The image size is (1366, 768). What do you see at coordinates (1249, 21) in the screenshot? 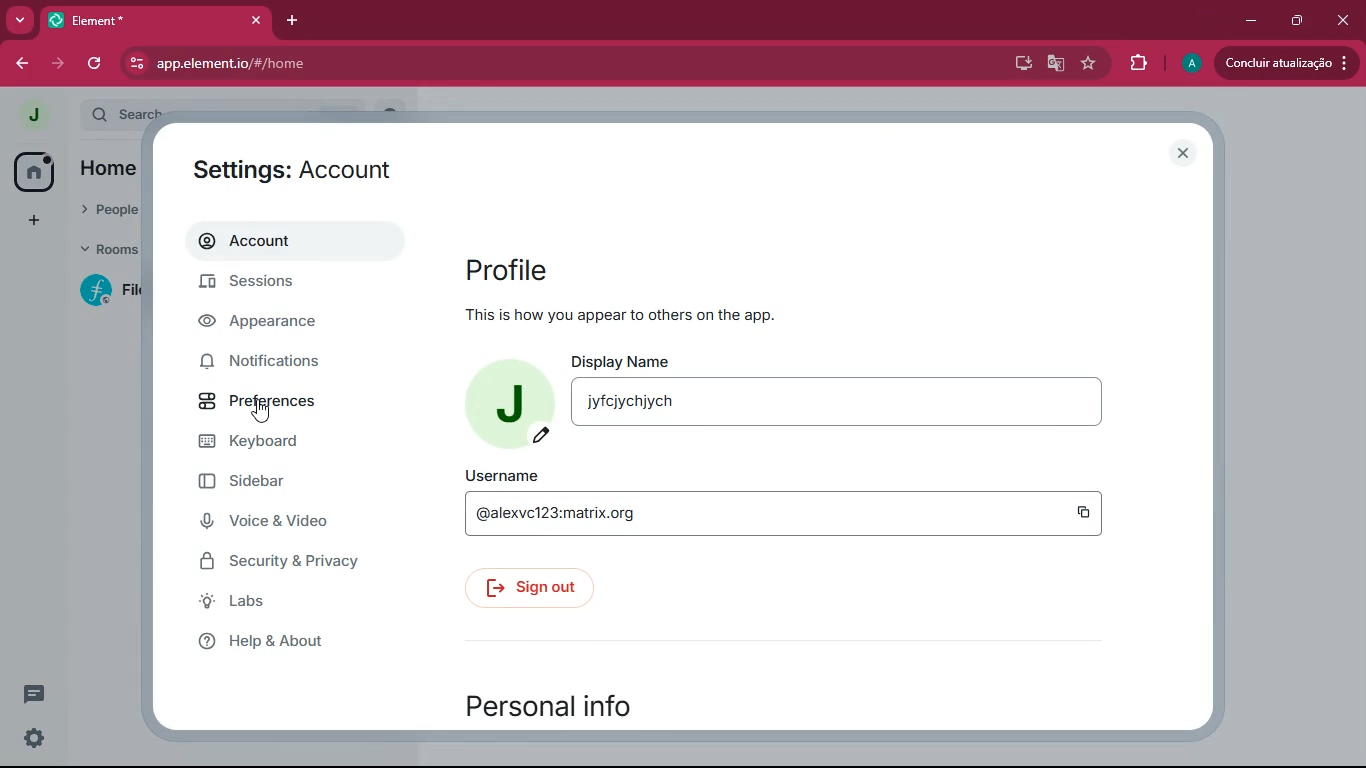
I see `minimize` at bounding box center [1249, 21].